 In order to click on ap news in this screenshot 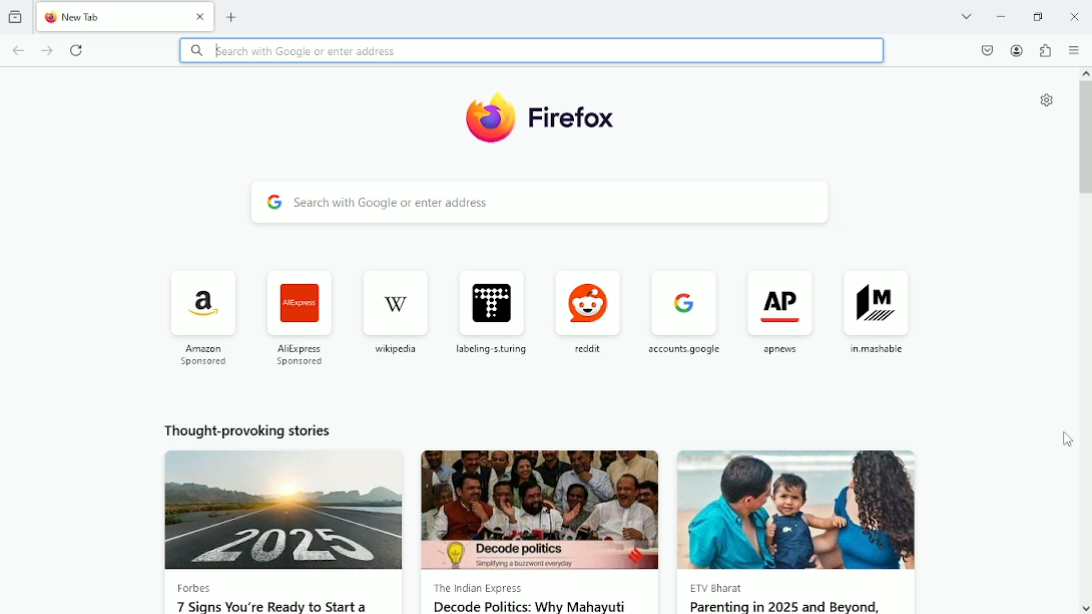, I will do `click(780, 325)`.